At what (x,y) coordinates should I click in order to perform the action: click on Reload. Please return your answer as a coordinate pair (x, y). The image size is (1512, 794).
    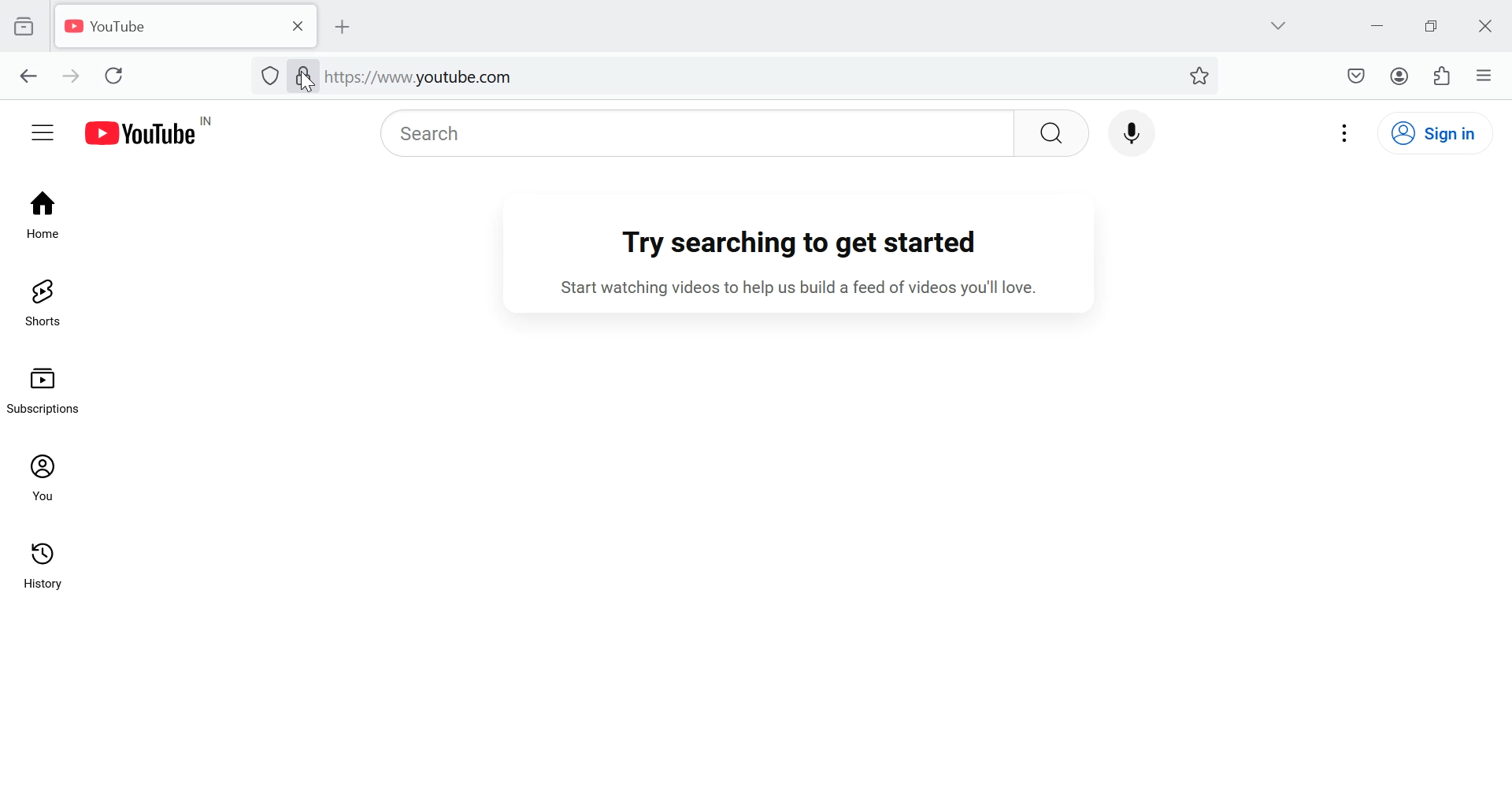
    Looking at the image, I should click on (119, 75).